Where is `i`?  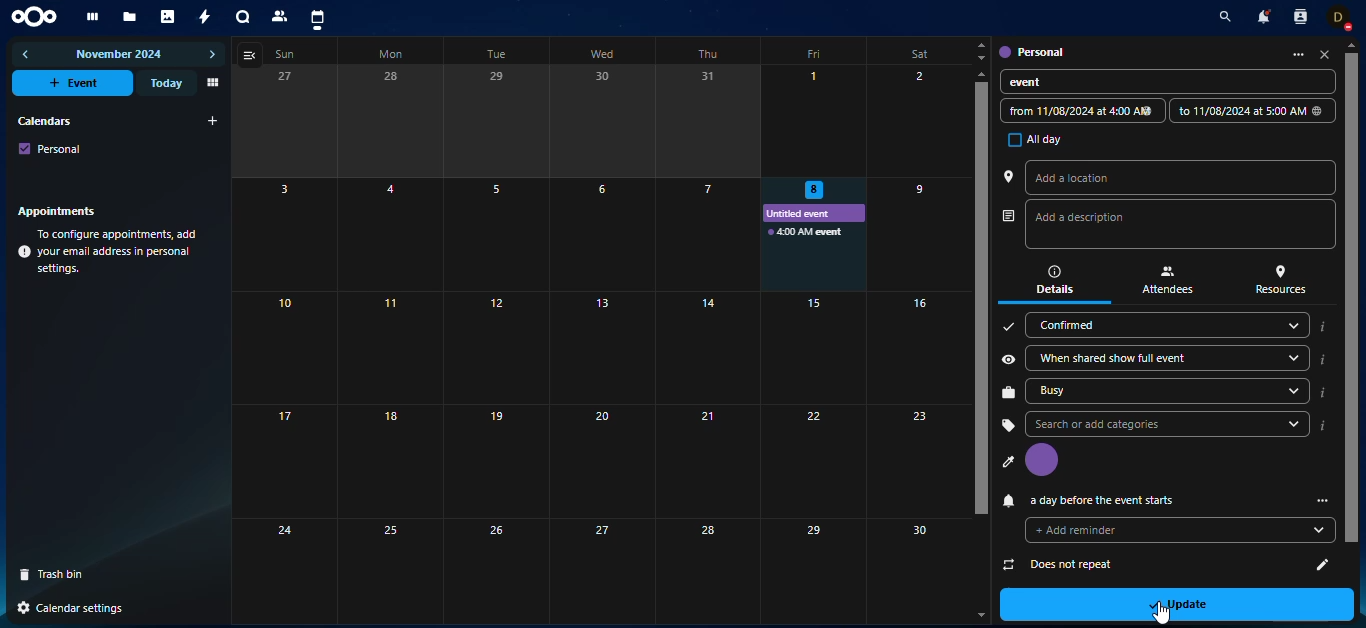 i is located at coordinates (1322, 393).